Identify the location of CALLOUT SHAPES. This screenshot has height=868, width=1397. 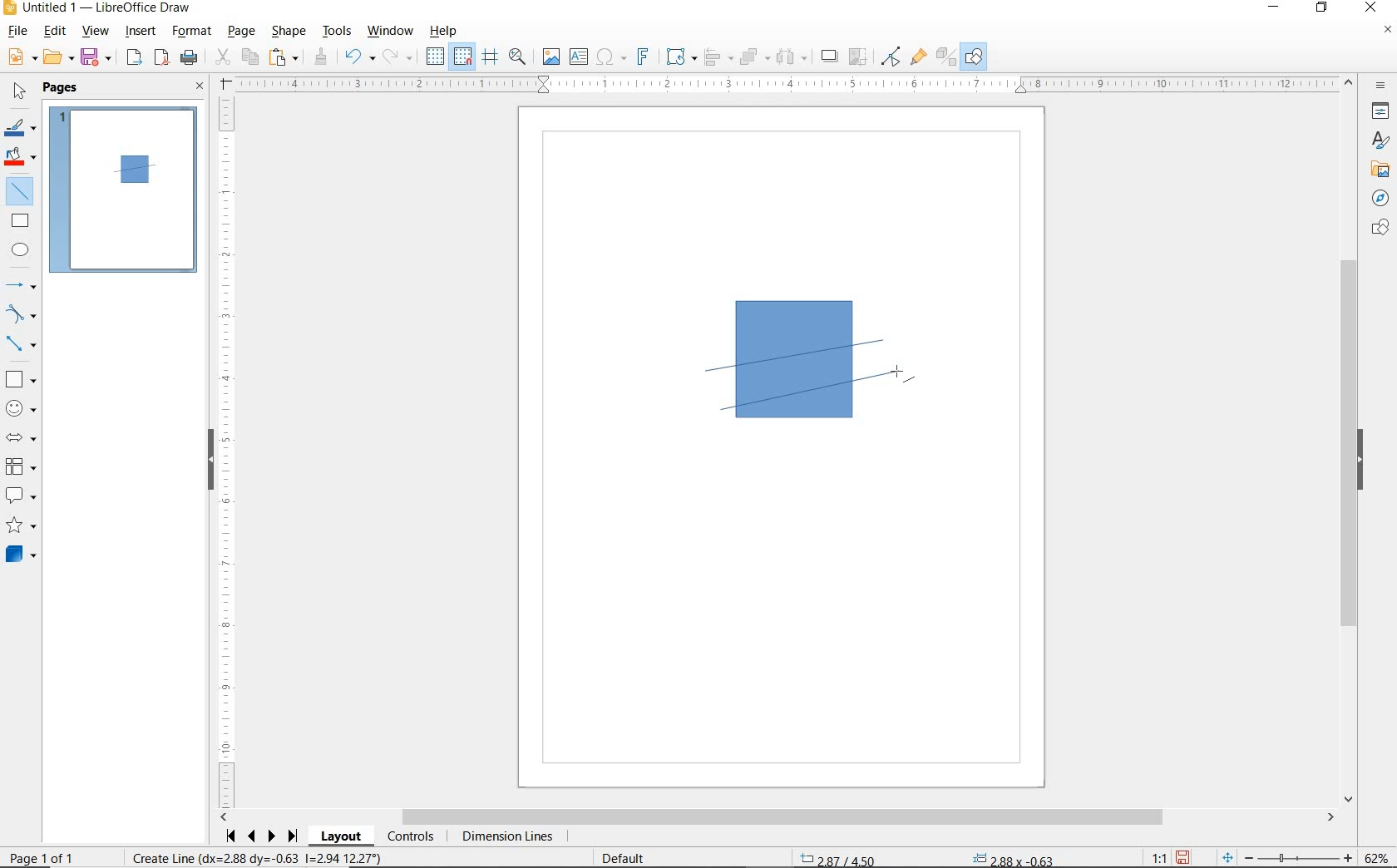
(22, 496).